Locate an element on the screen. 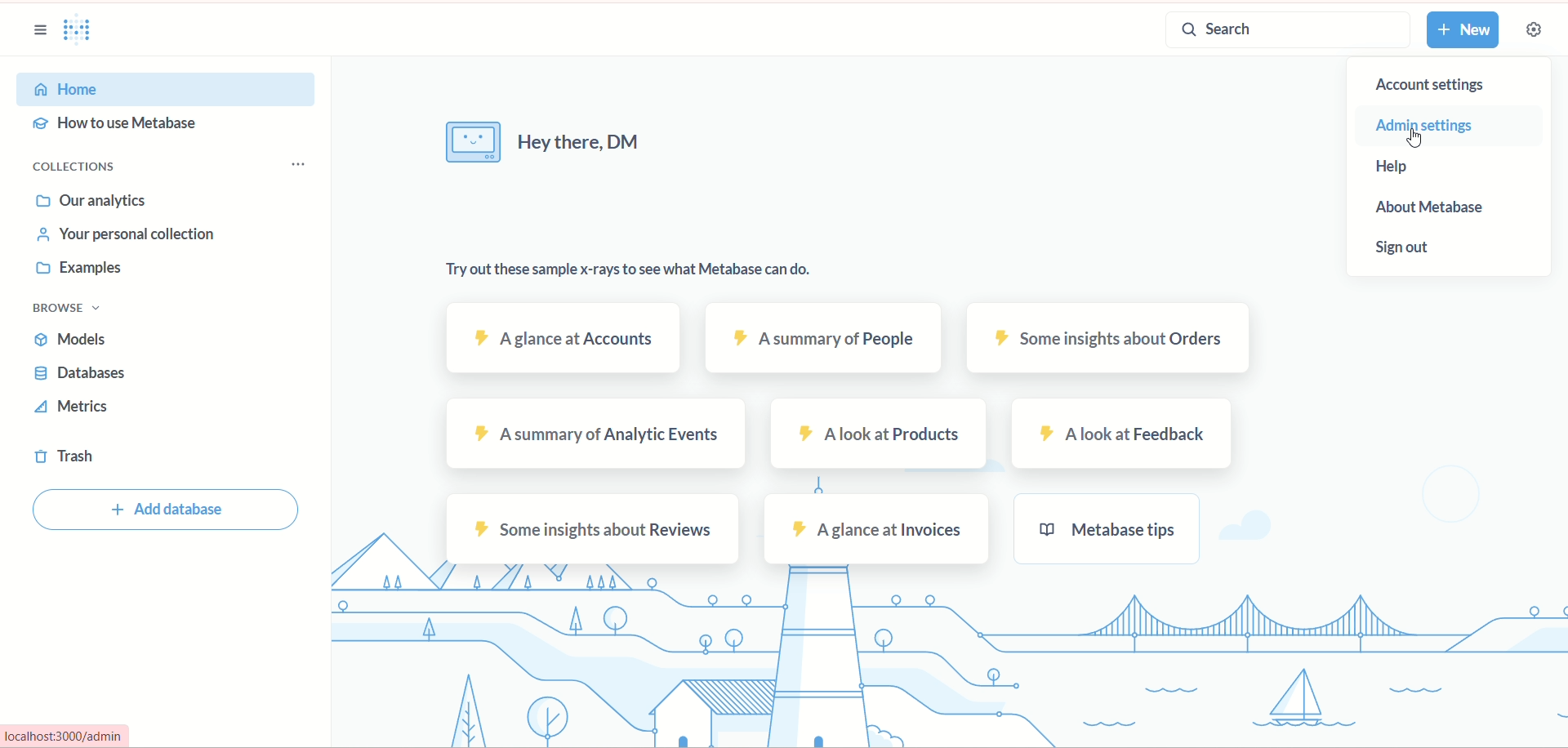 The image size is (1568, 748). invoices is located at coordinates (880, 529).